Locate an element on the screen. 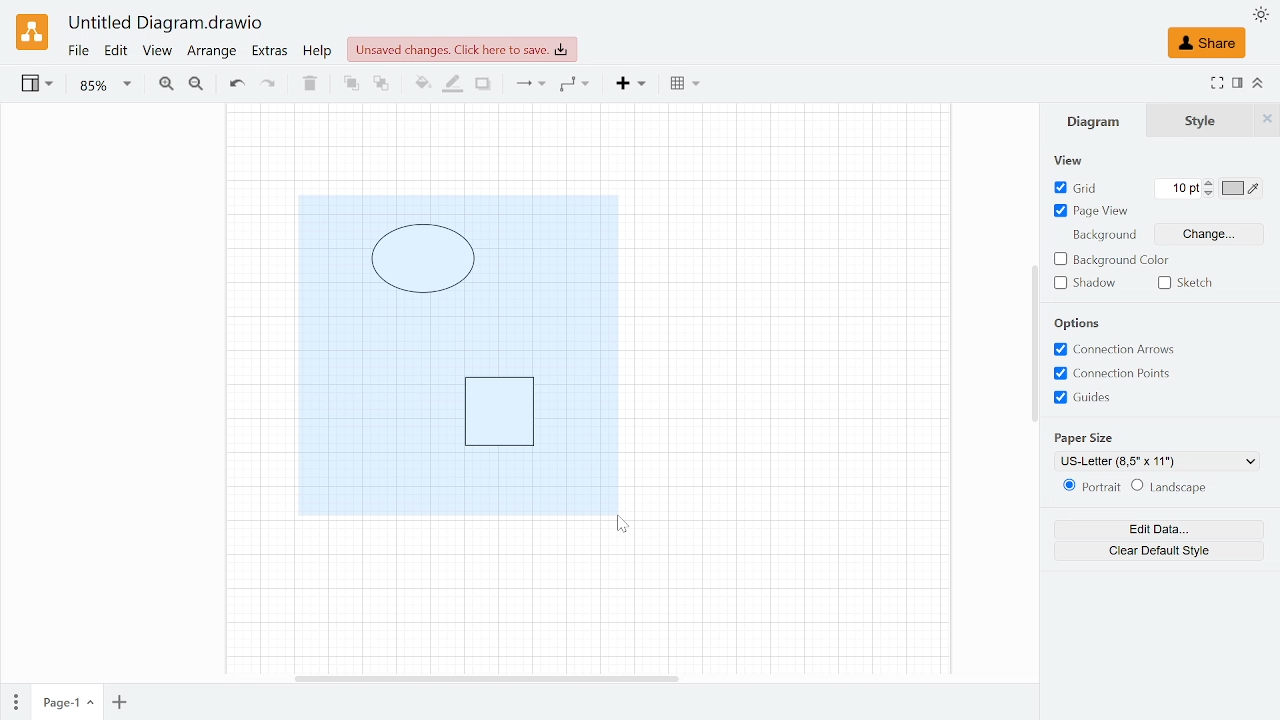  Connection is located at coordinates (529, 85).